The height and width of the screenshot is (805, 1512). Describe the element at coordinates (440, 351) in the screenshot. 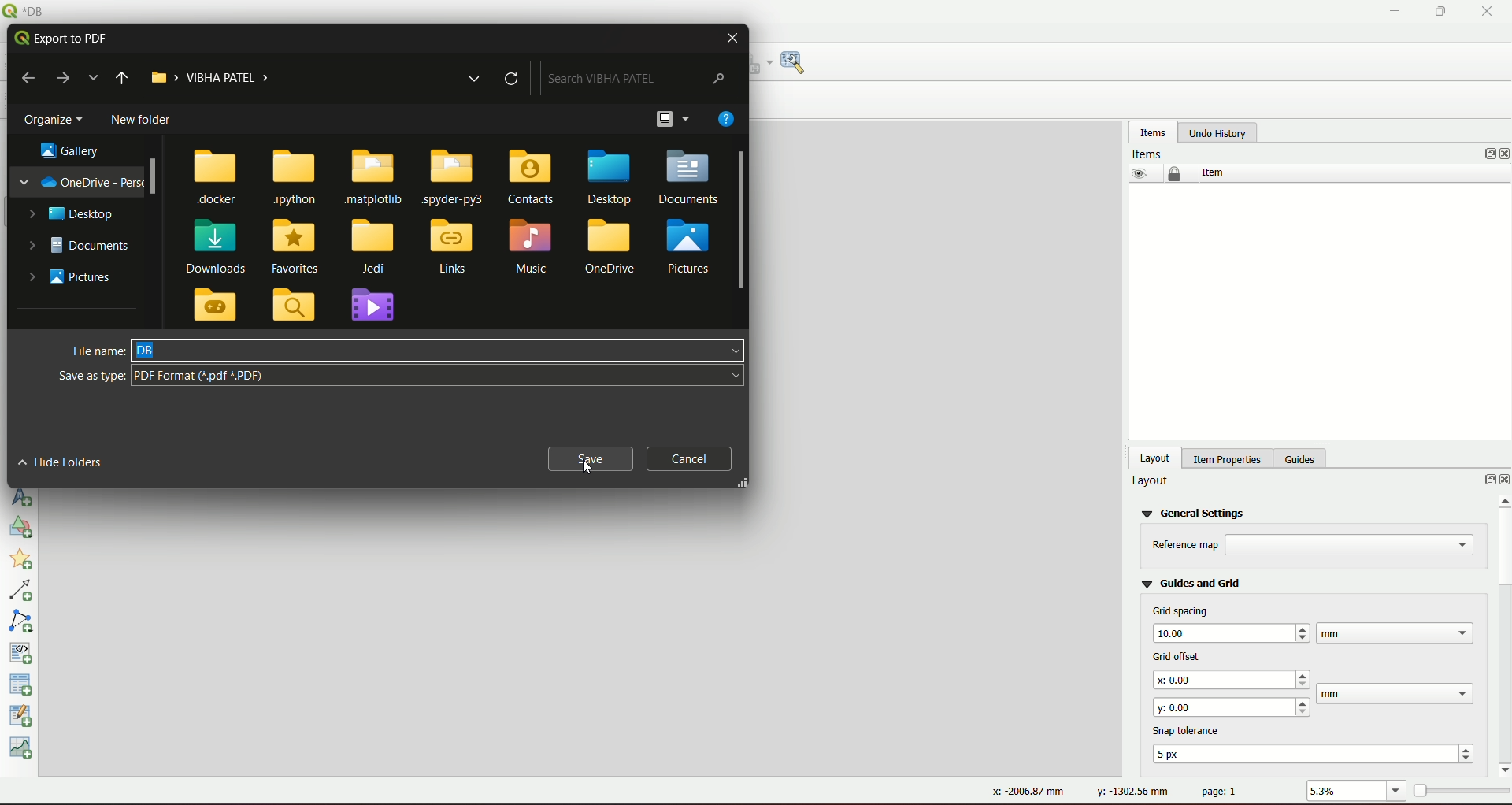

I see `text box` at that location.